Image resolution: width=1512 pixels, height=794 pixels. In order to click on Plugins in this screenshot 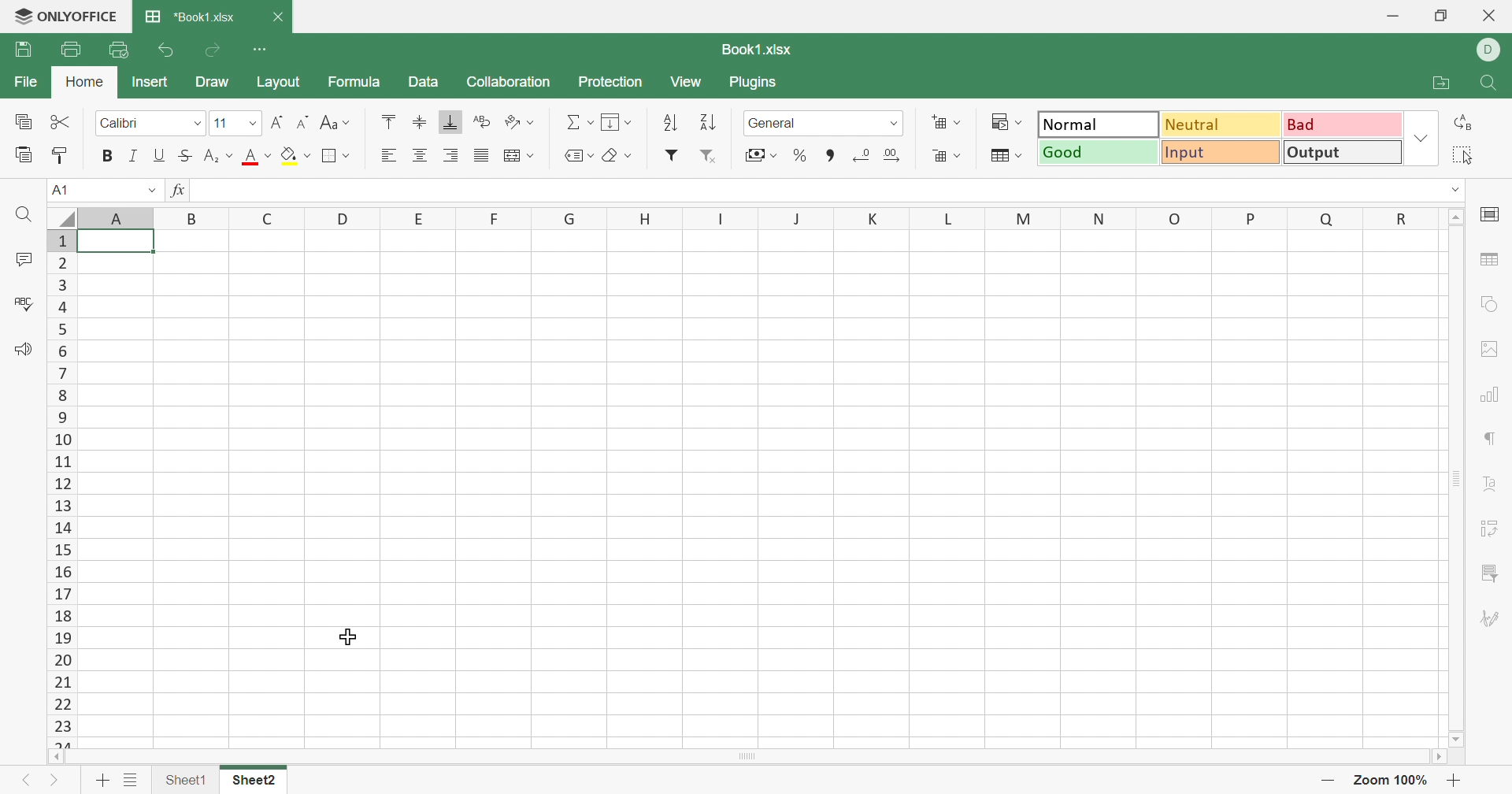, I will do `click(757, 82)`.